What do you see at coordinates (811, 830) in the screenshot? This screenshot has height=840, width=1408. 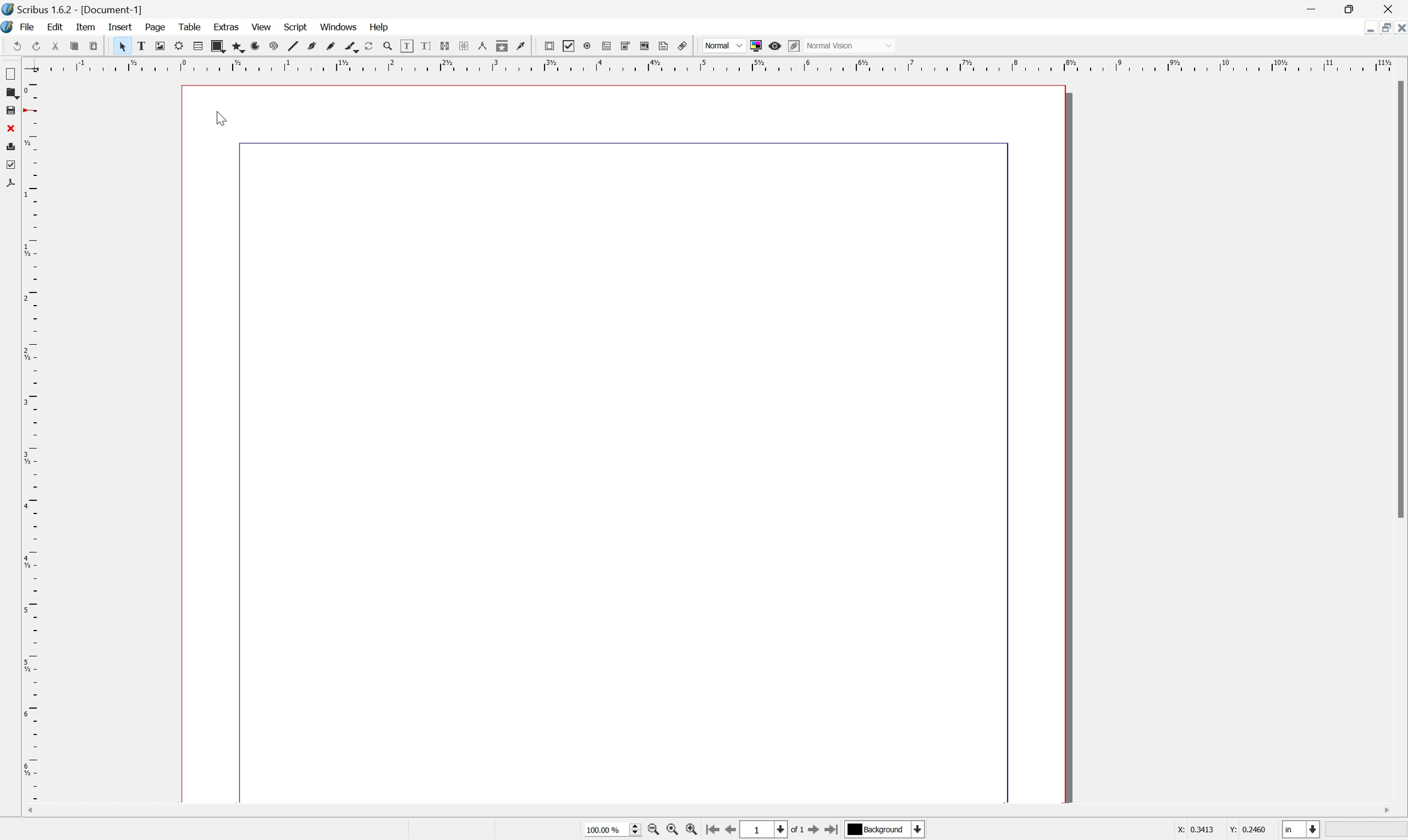 I see `go to next page` at bounding box center [811, 830].